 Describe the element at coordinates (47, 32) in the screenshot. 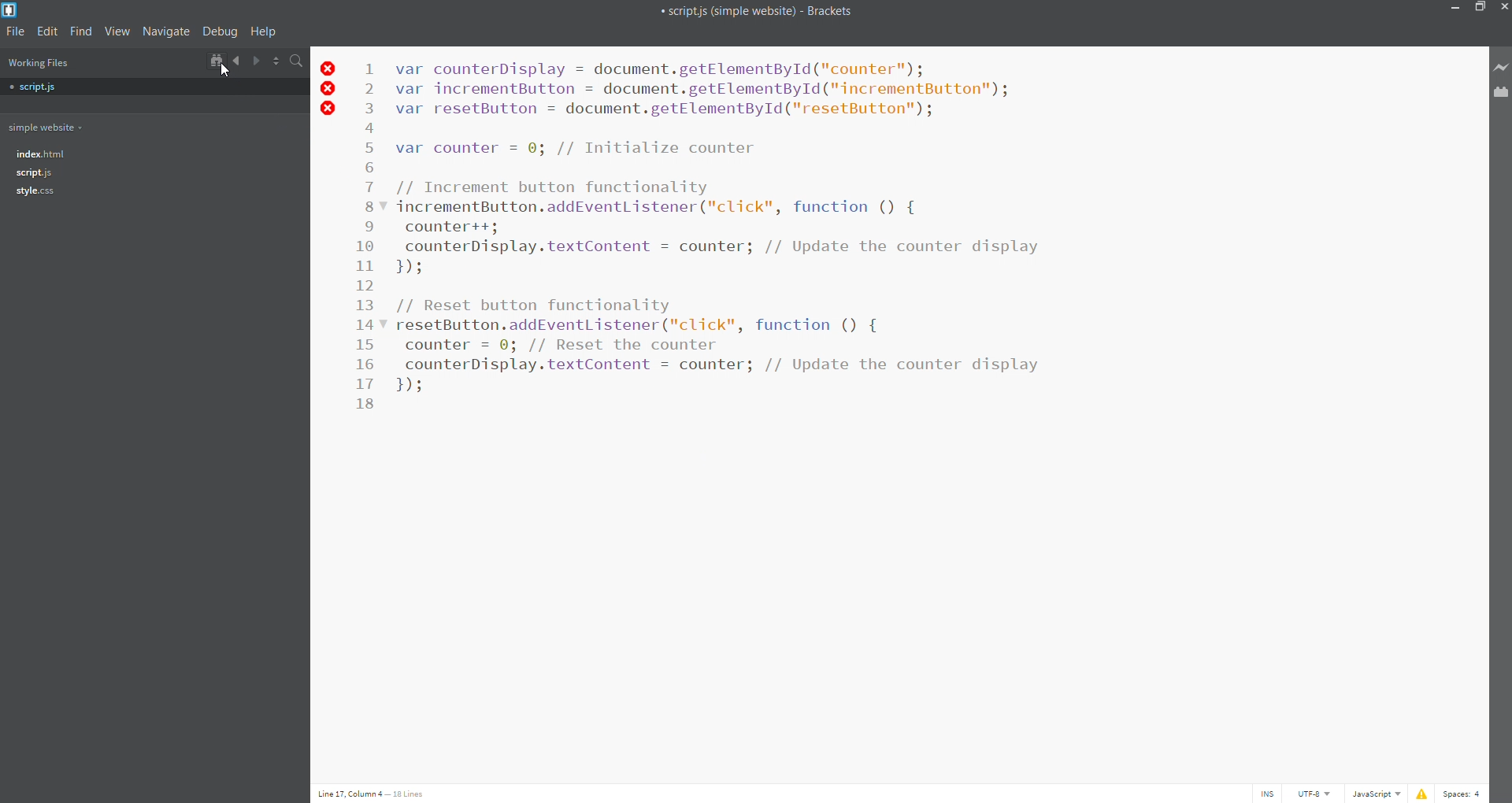

I see `edit` at that location.